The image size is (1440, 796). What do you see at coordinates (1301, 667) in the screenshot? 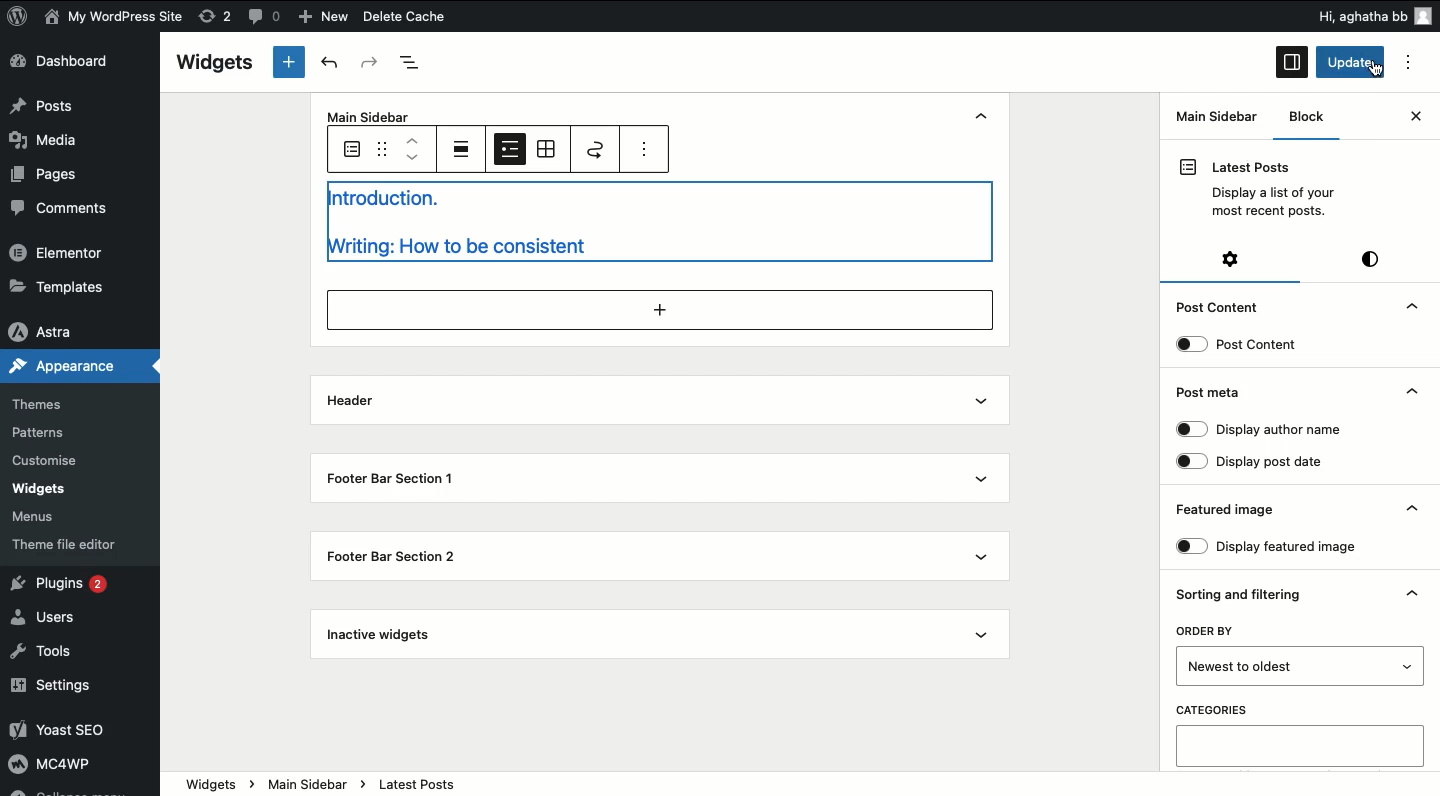
I see `Order by newest to older` at bounding box center [1301, 667].